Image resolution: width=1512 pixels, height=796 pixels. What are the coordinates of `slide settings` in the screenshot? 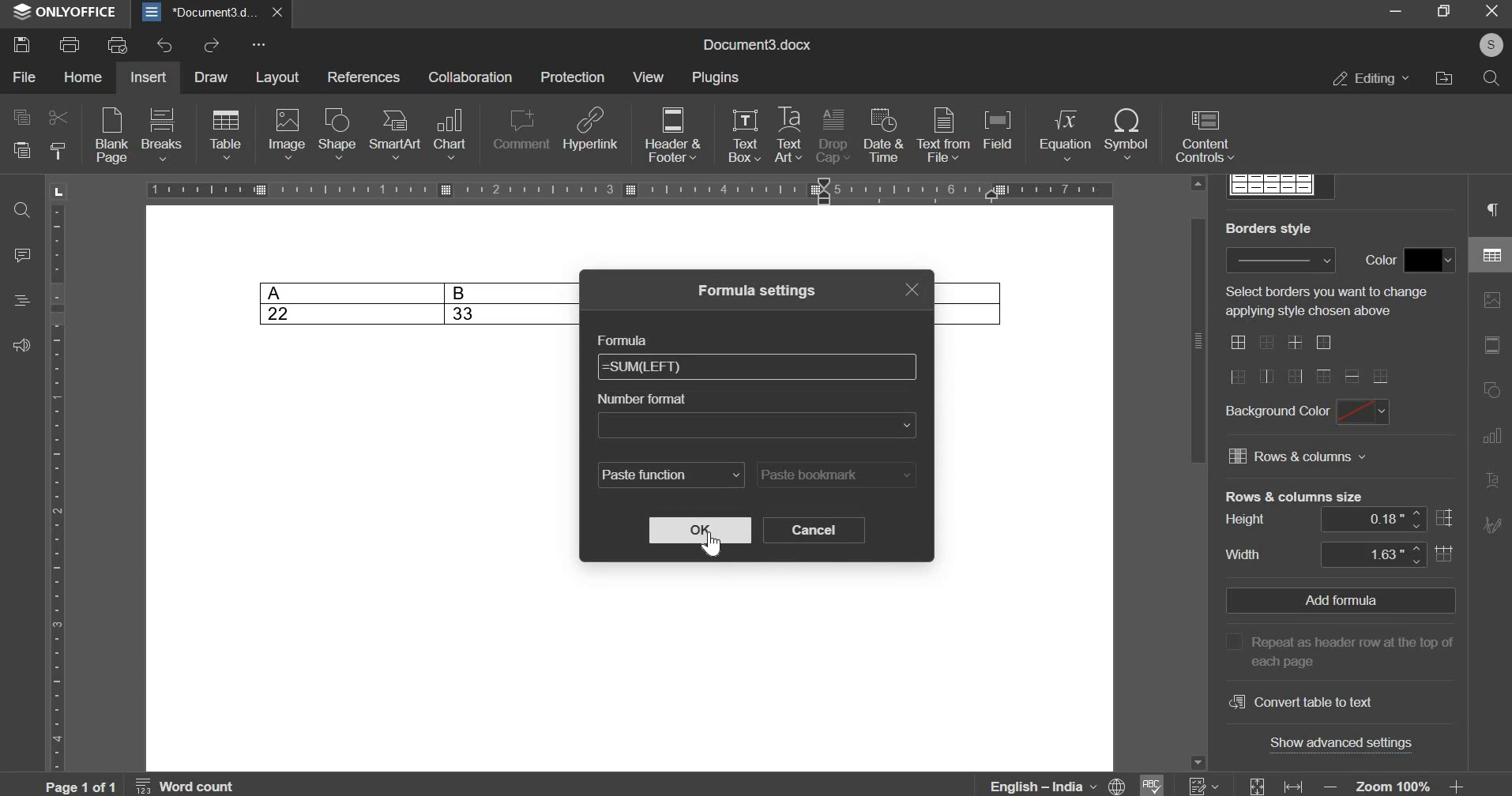 It's located at (1491, 344).